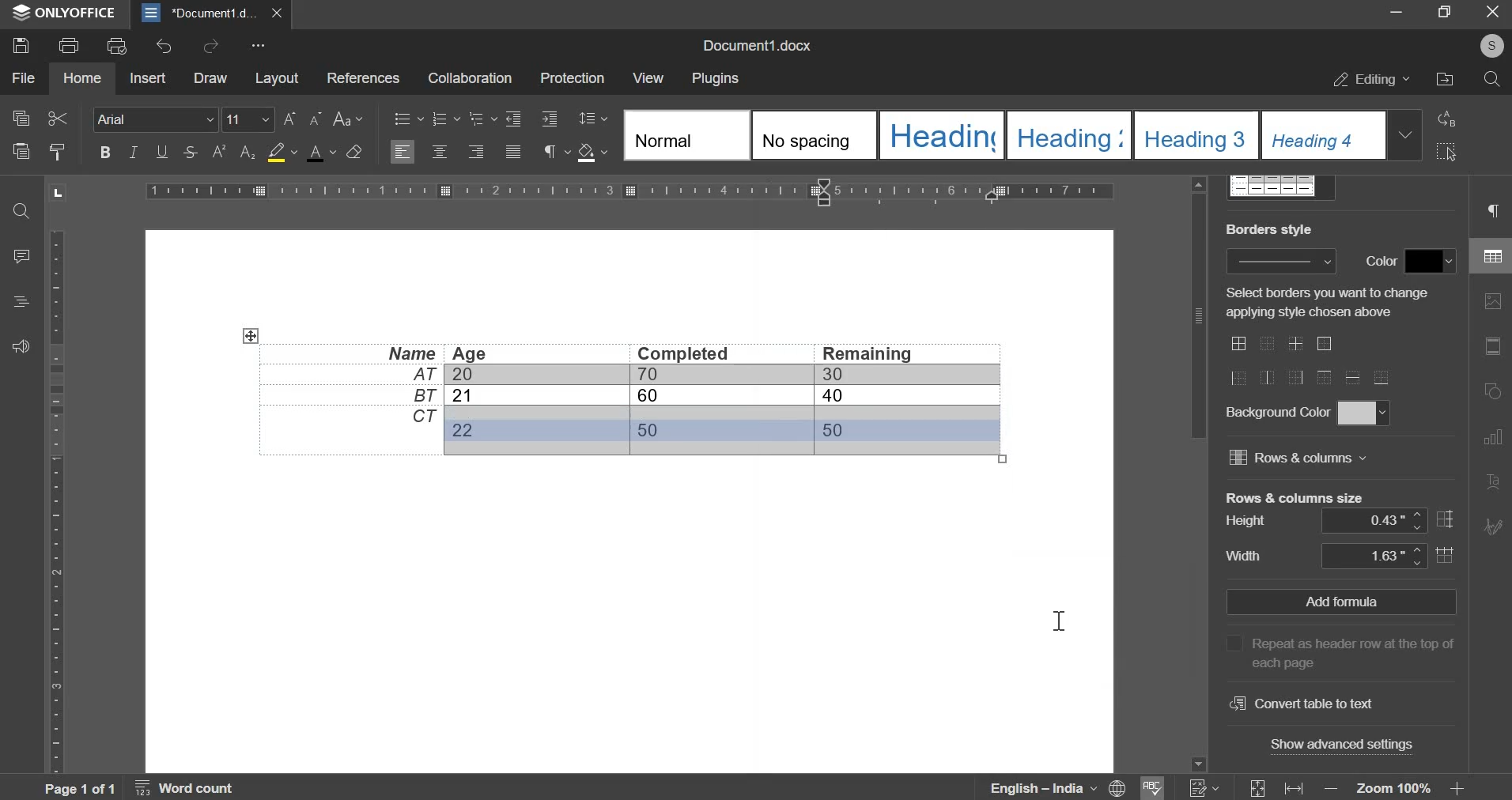 This screenshot has height=800, width=1512. What do you see at coordinates (572, 78) in the screenshot?
I see `protection` at bounding box center [572, 78].